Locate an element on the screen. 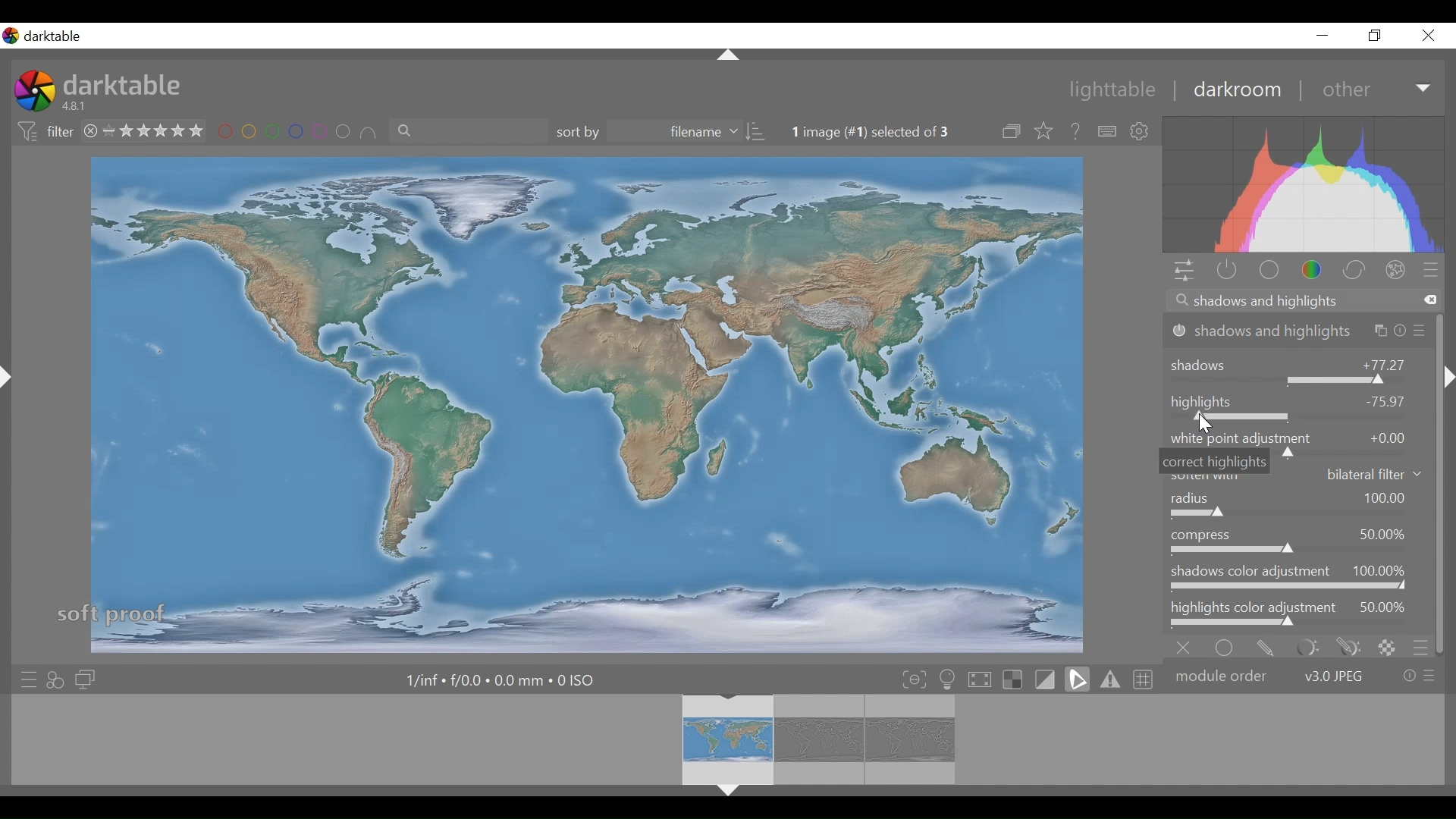 This screenshot has height=819, width=1456.  is located at coordinates (13, 393).